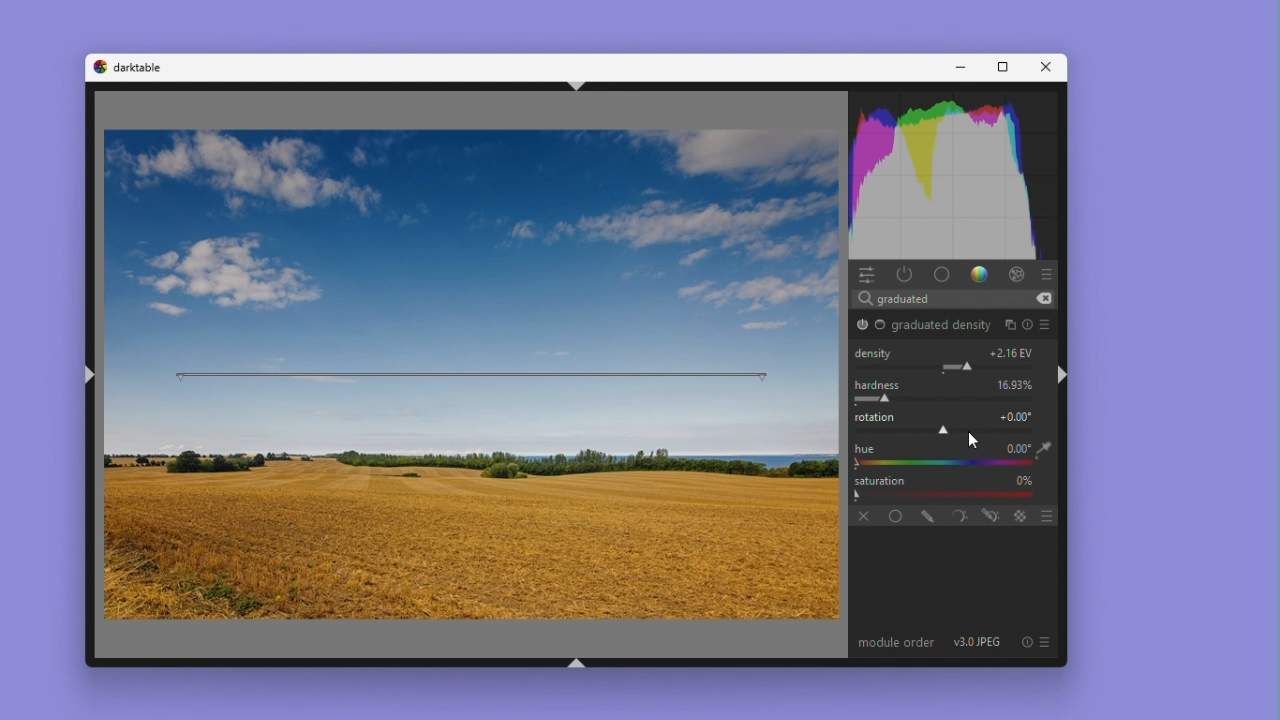  I want to click on reset, so click(1029, 324).